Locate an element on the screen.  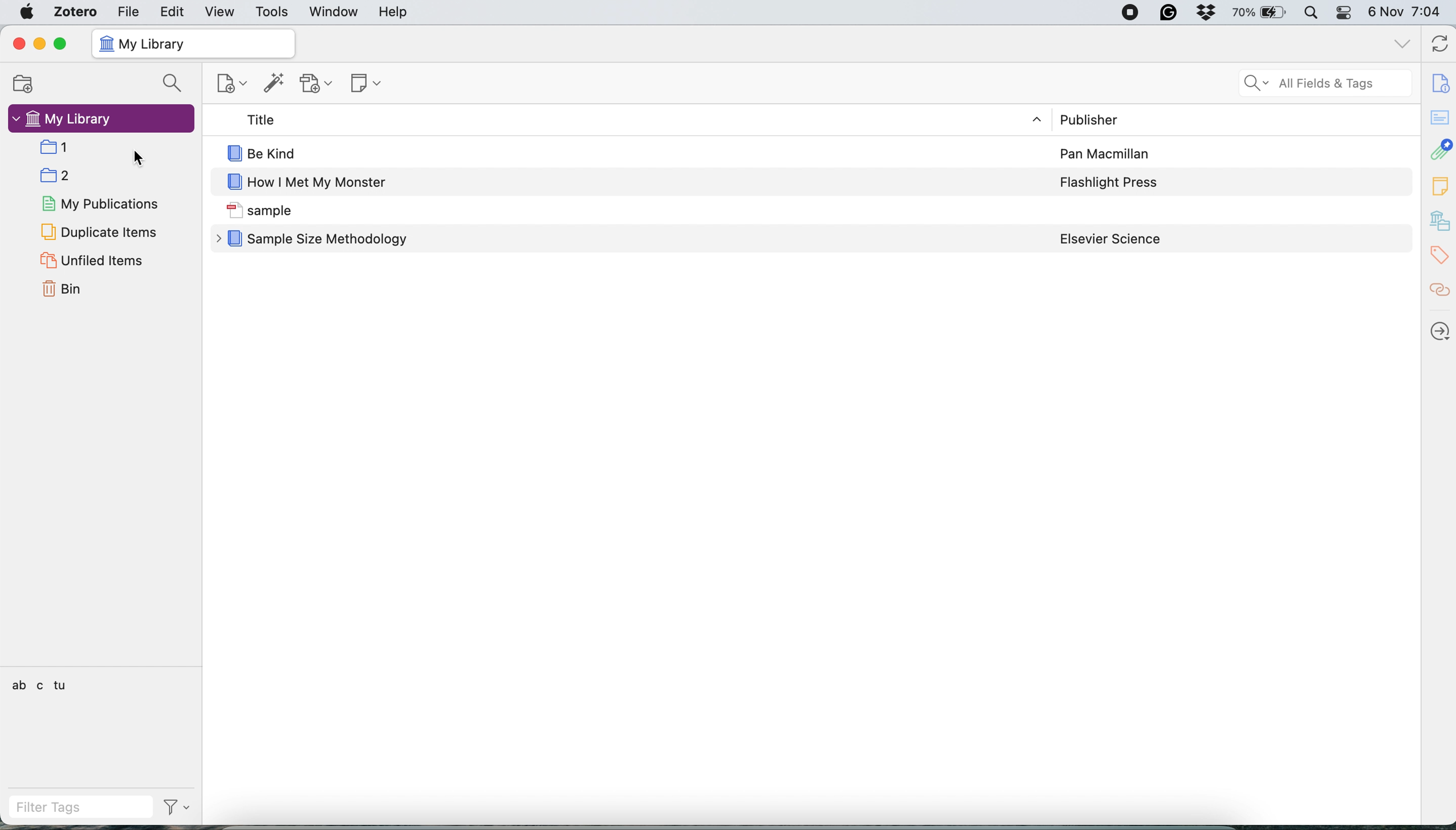
close is located at coordinates (19, 44).